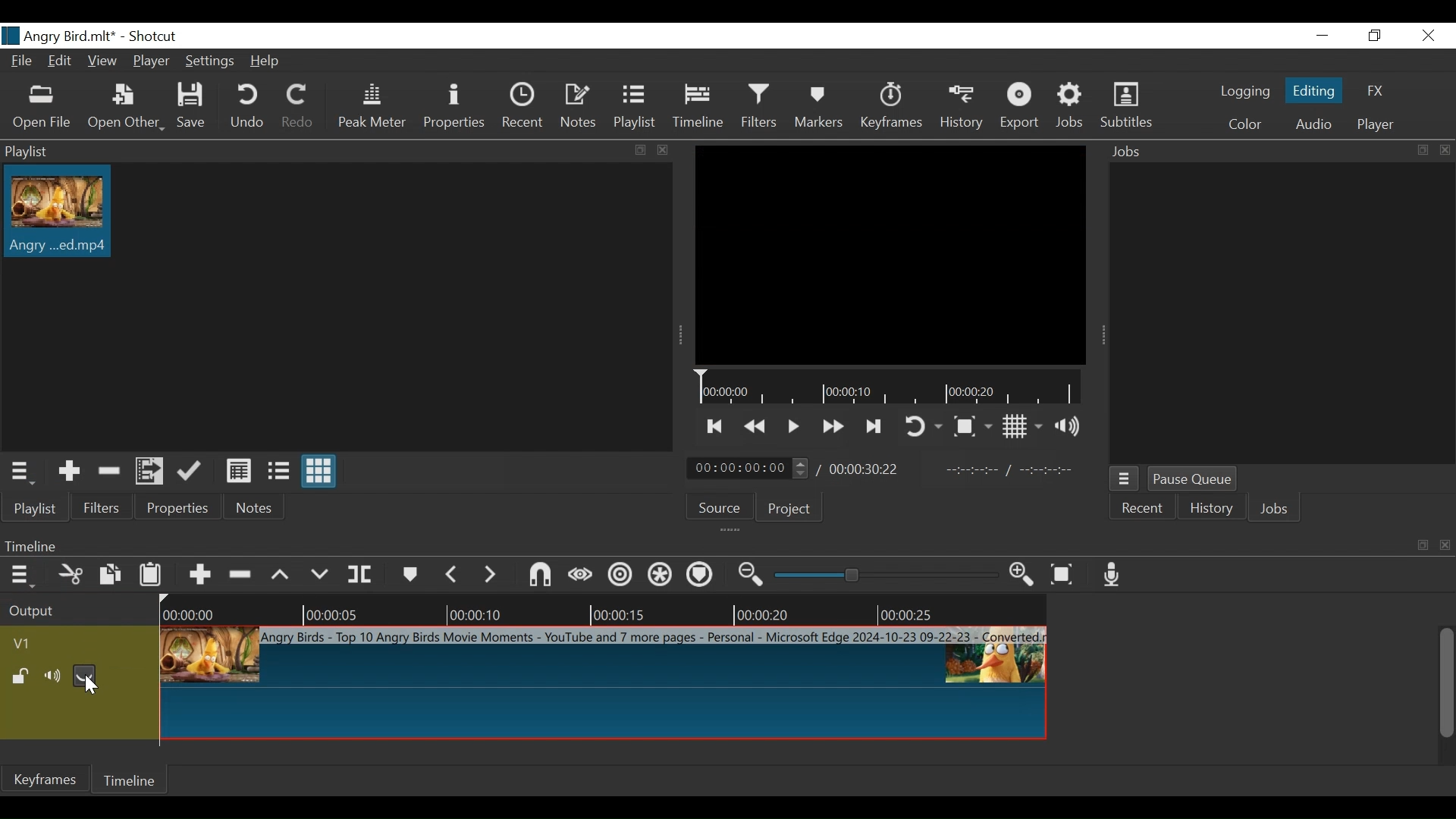 Image resolution: width=1456 pixels, height=819 pixels. I want to click on Ripple all tracks, so click(658, 576).